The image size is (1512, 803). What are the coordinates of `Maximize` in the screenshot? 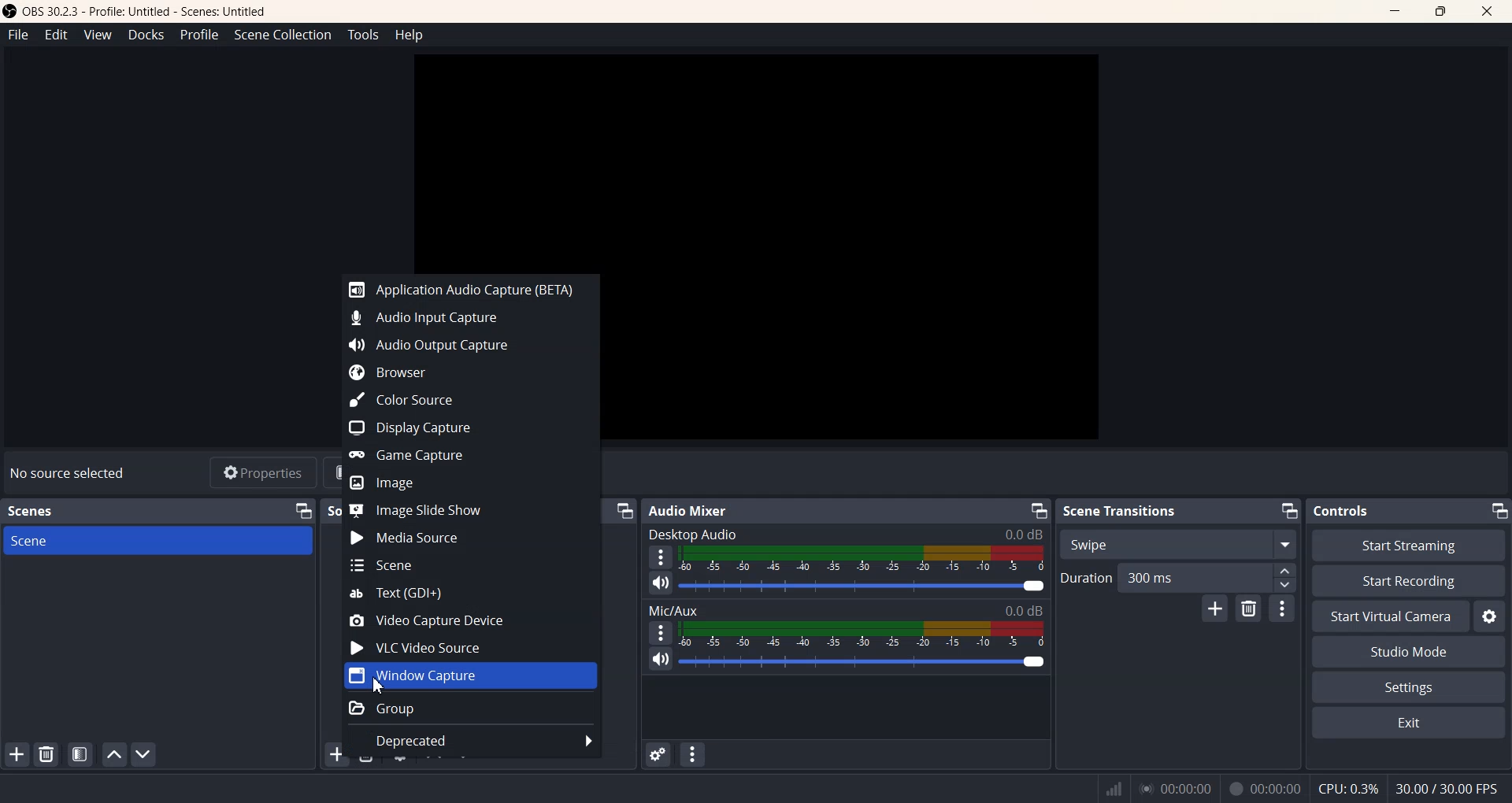 It's located at (1442, 13).